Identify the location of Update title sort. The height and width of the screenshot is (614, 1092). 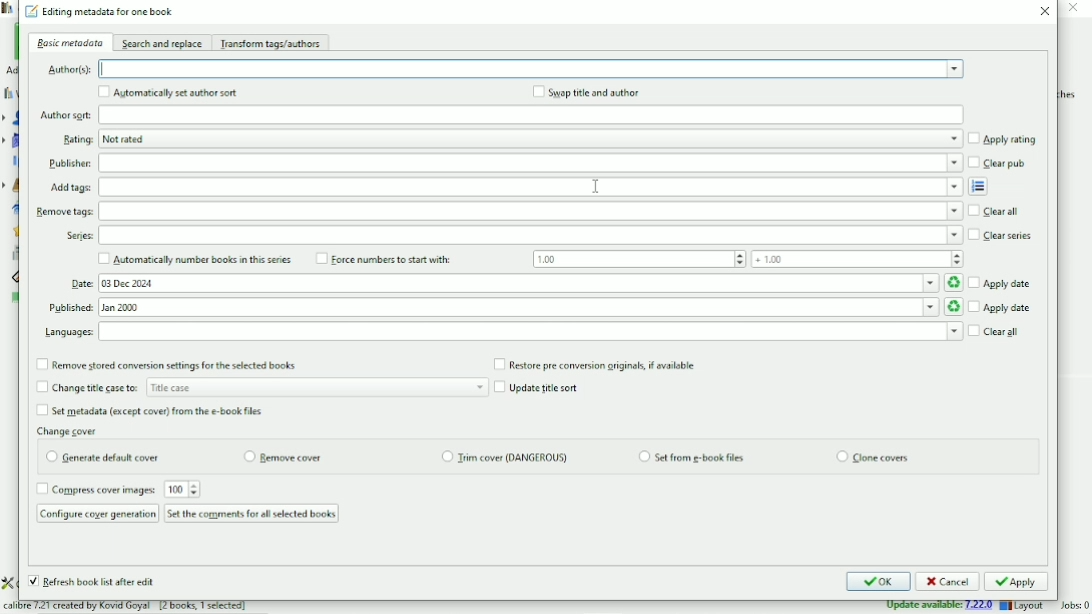
(540, 387).